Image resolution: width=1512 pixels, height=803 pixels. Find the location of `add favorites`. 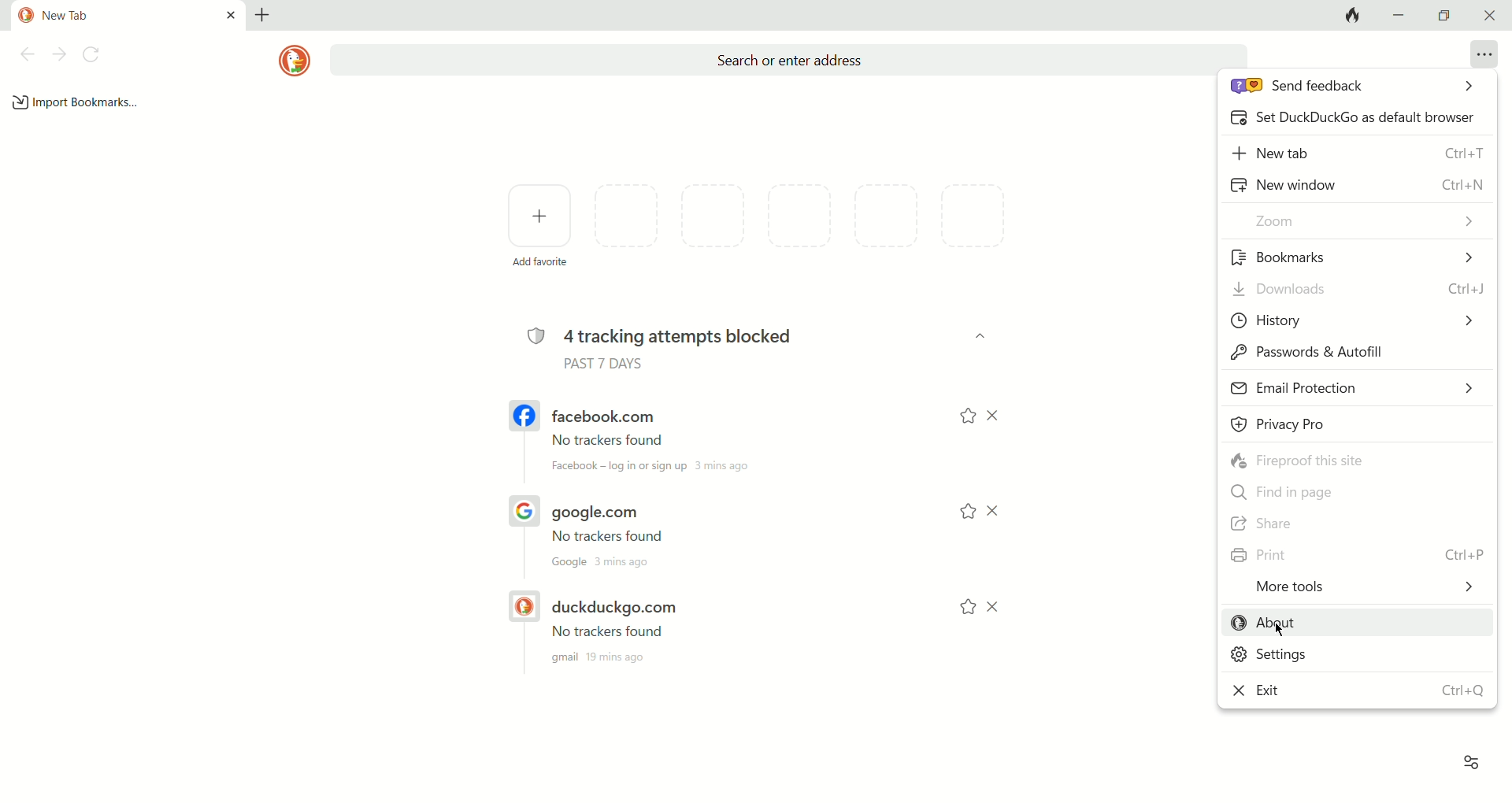

add favorites is located at coordinates (541, 226).